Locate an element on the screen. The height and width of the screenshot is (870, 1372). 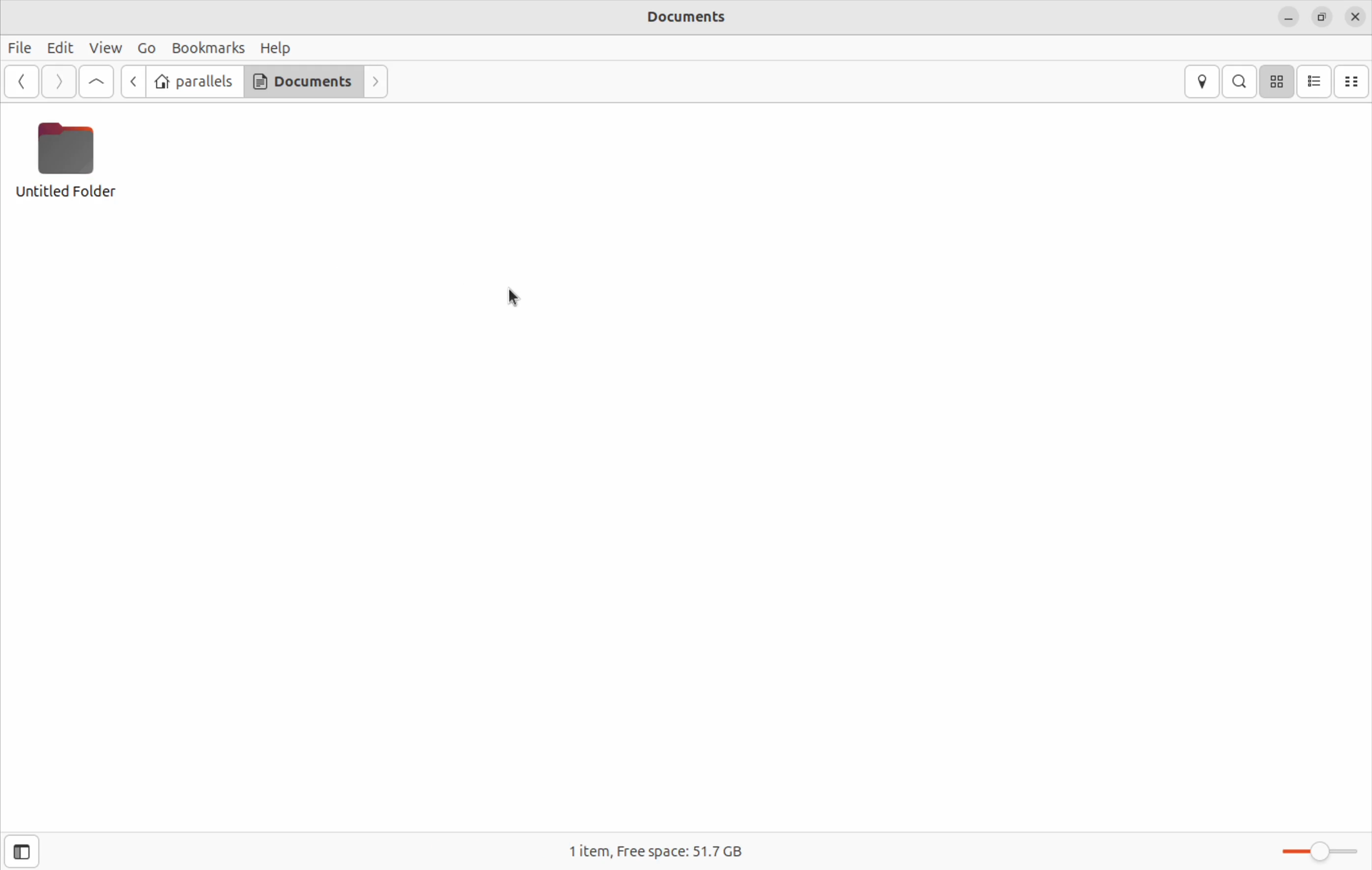
Documents is located at coordinates (302, 82).